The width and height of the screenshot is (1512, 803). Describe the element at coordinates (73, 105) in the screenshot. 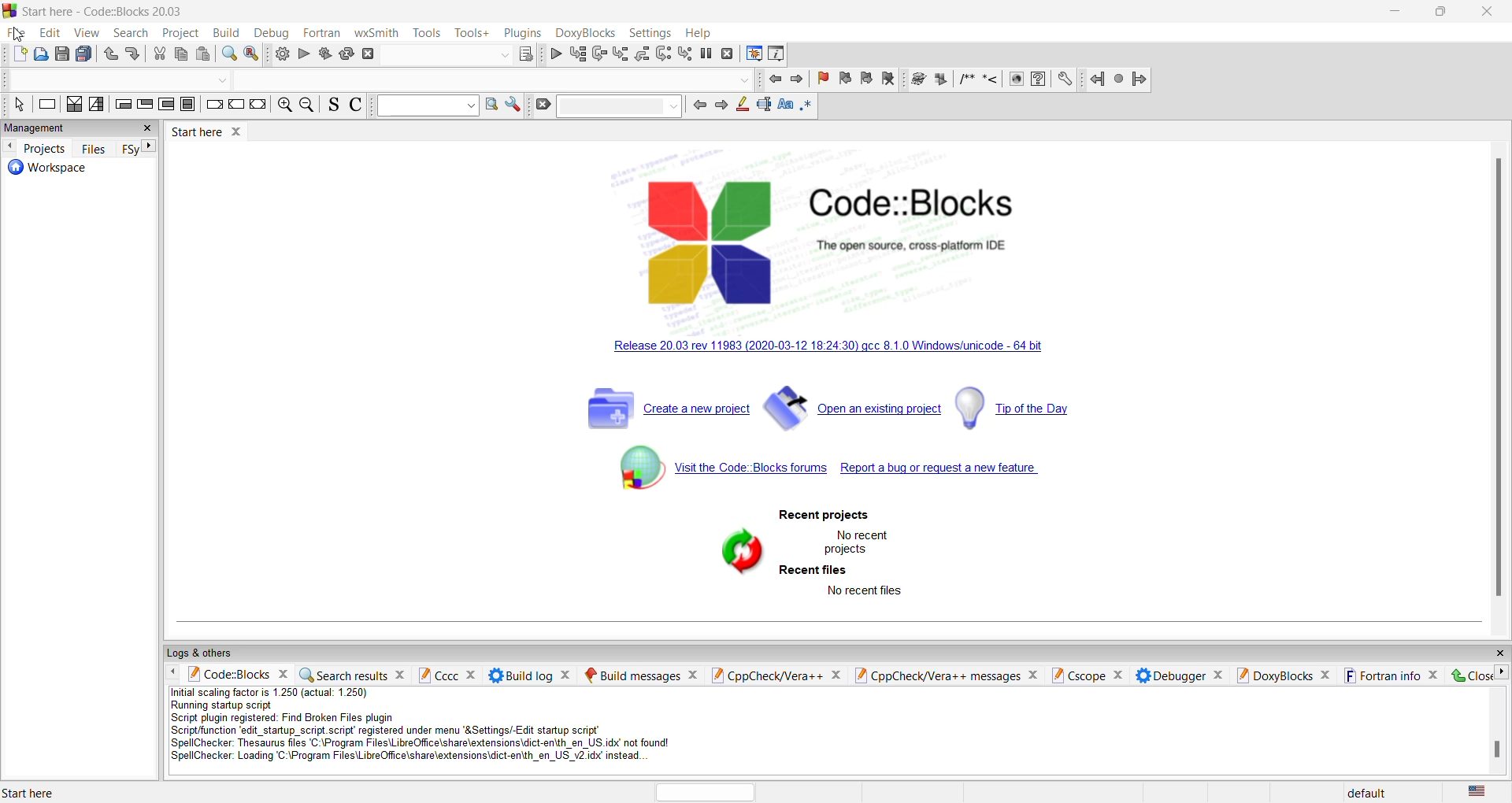

I see `decision` at that location.